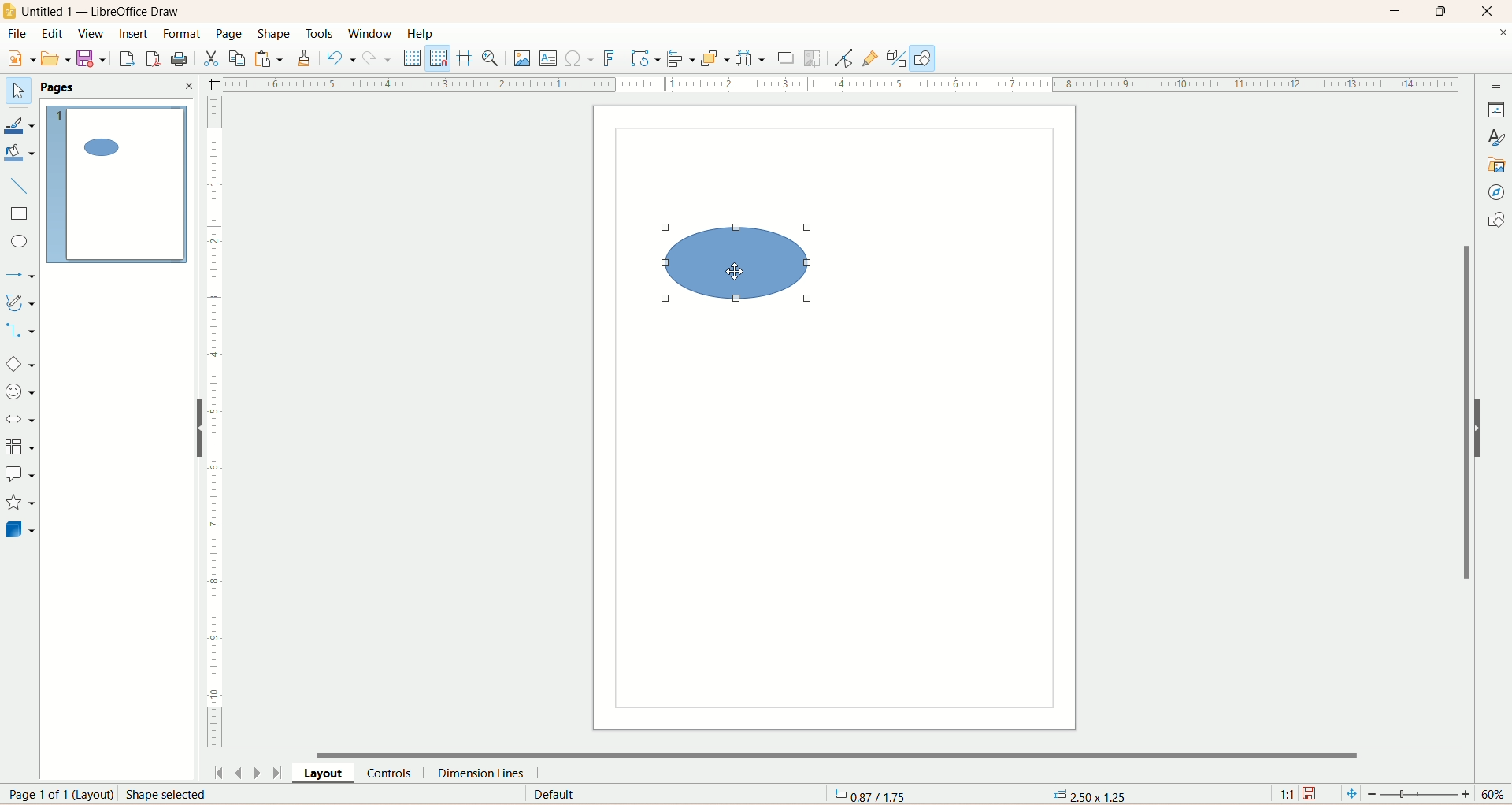  I want to click on close, so click(1494, 10).